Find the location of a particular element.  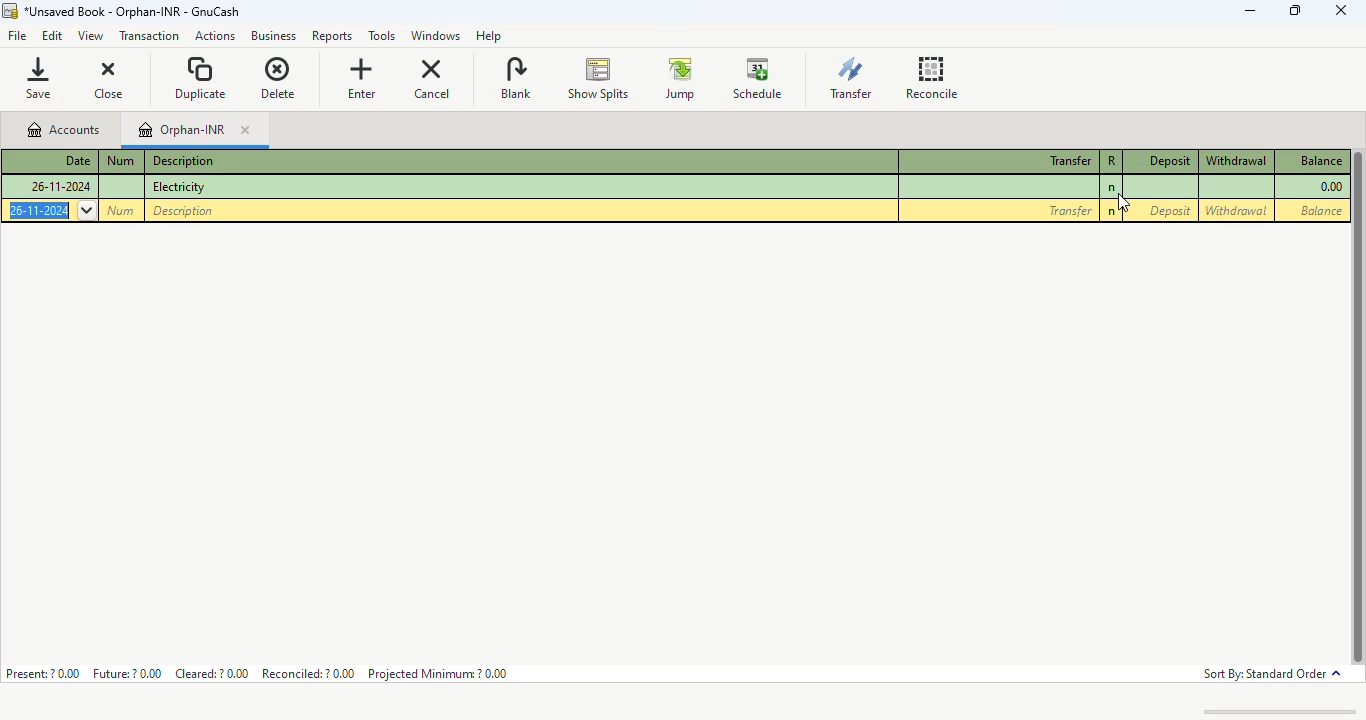

close is located at coordinates (1340, 10).